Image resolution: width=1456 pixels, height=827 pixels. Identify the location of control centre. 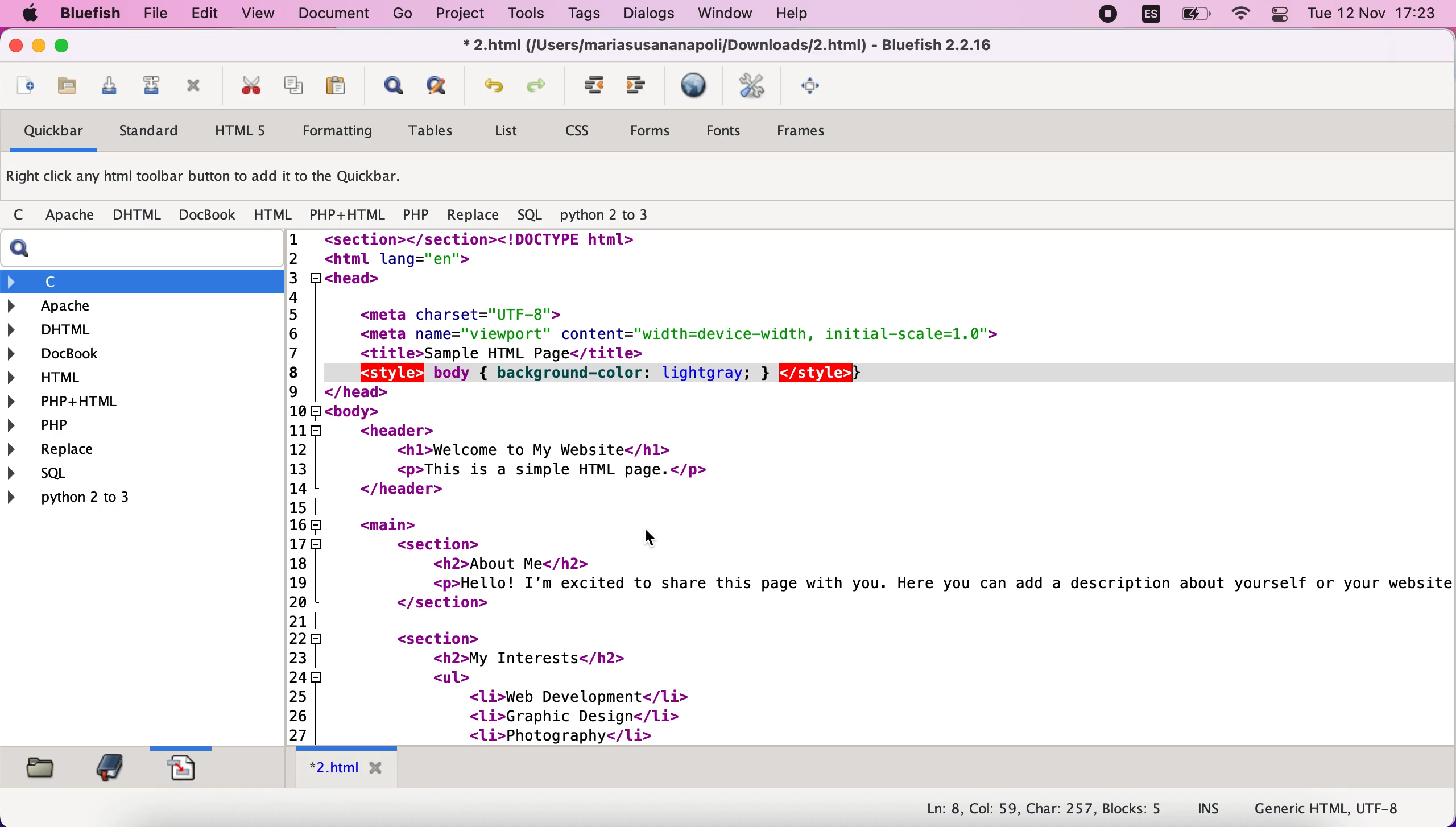
(1279, 16).